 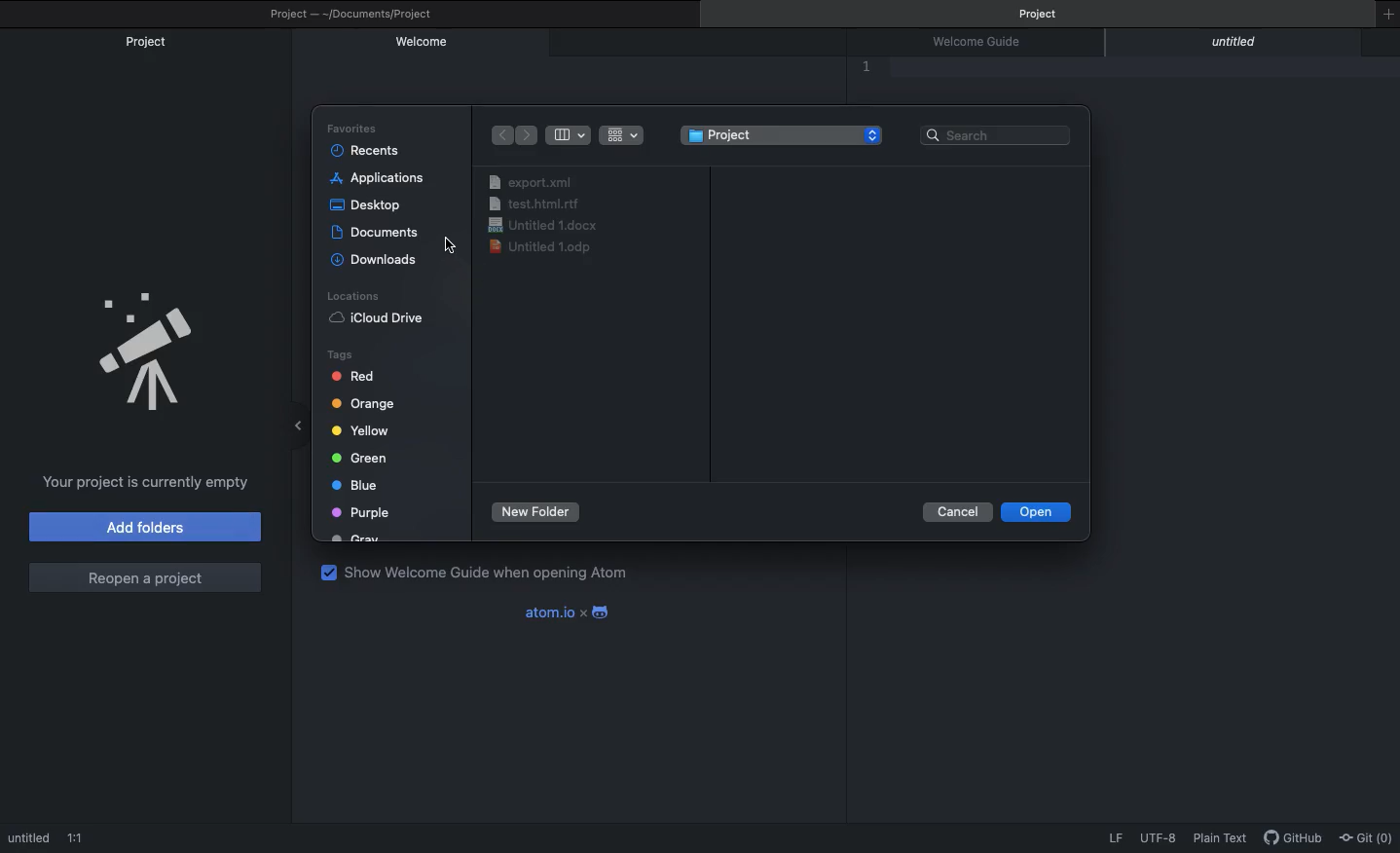 I want to click on Favorites, so click(x=355, y=129).